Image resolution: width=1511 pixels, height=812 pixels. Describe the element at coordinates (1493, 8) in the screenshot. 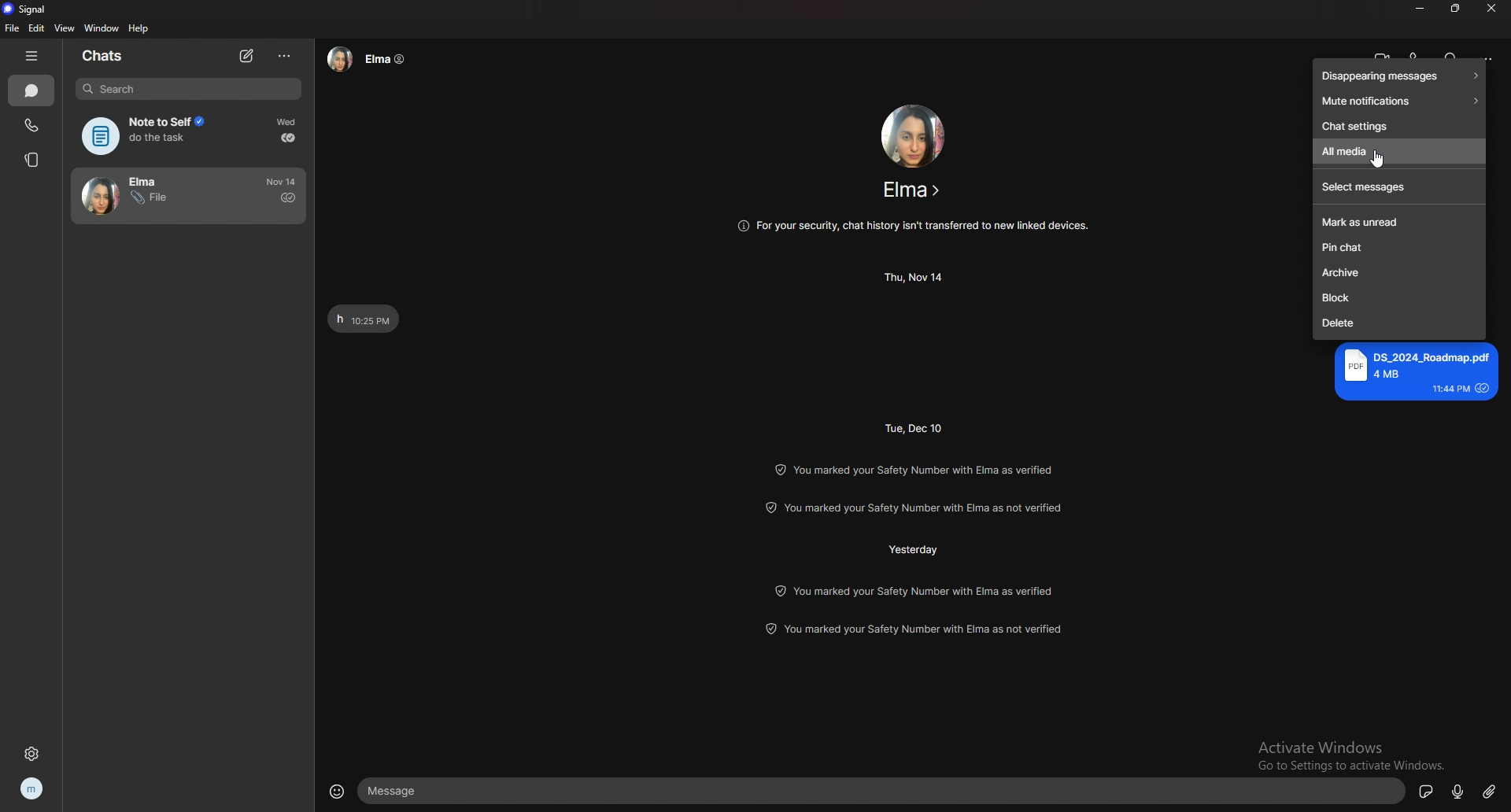

I see `close` at that location.